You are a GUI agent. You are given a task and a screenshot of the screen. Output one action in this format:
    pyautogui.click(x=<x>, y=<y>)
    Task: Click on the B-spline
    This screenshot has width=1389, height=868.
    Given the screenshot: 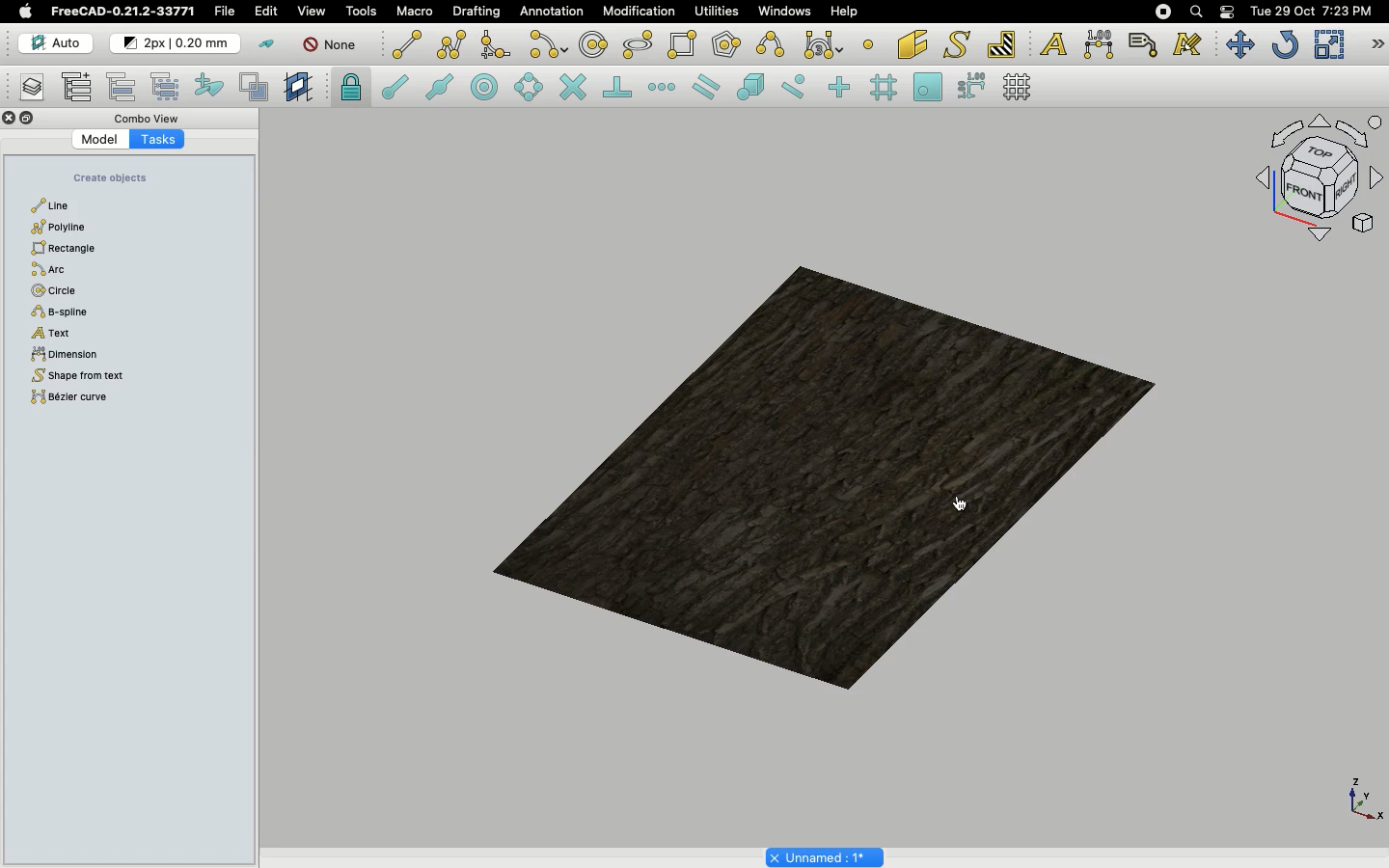 What is the action you would take?
    pyautogui.click(x=770, y=44)
    